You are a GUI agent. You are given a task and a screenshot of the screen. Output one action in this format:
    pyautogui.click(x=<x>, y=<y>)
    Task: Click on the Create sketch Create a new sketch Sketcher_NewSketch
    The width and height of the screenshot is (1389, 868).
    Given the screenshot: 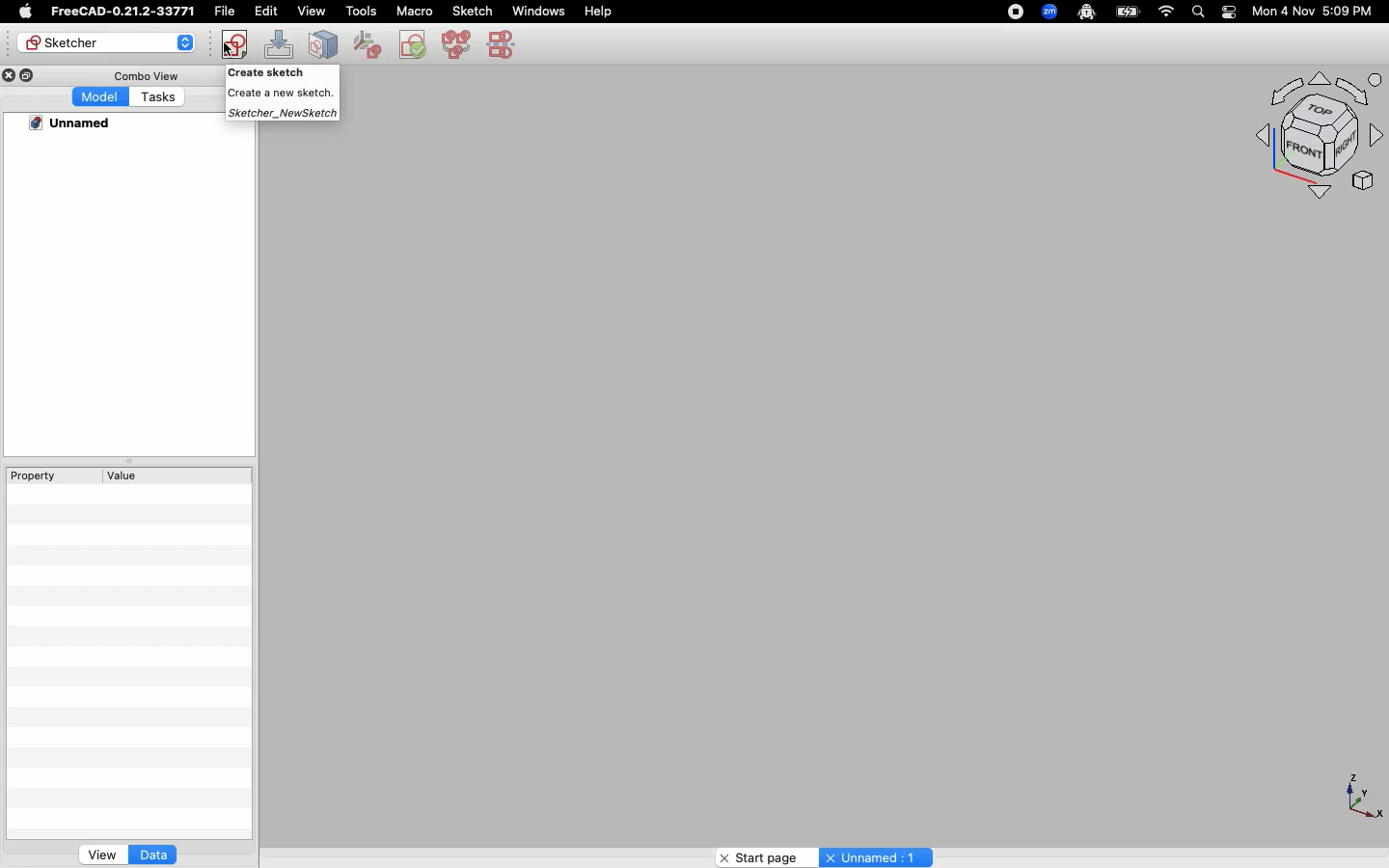 What is the action you would take?
    pyautogui.click(x=281, y=95)
    